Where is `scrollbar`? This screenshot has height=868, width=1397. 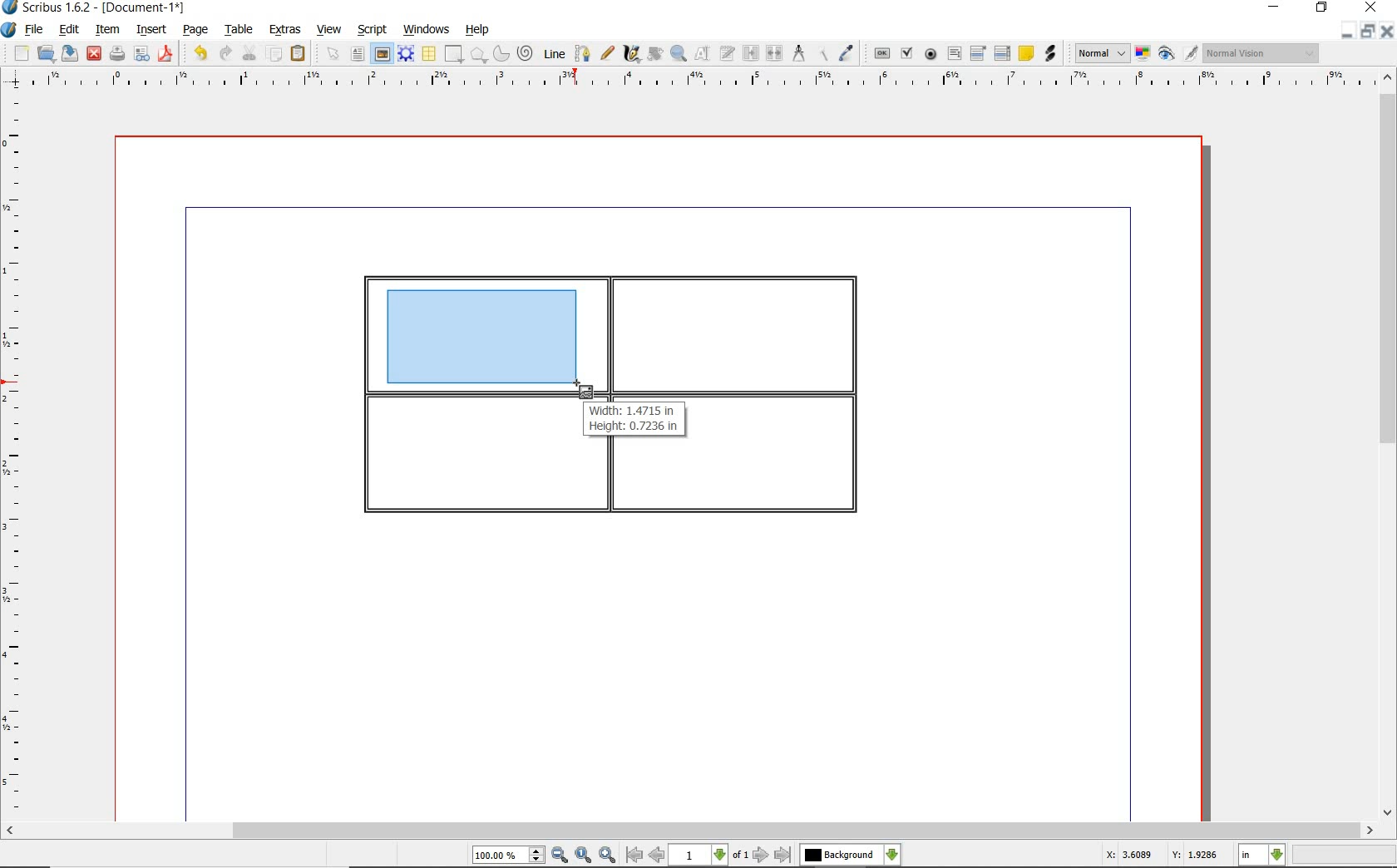 scrollbar is located at coordinates (1387, 446).